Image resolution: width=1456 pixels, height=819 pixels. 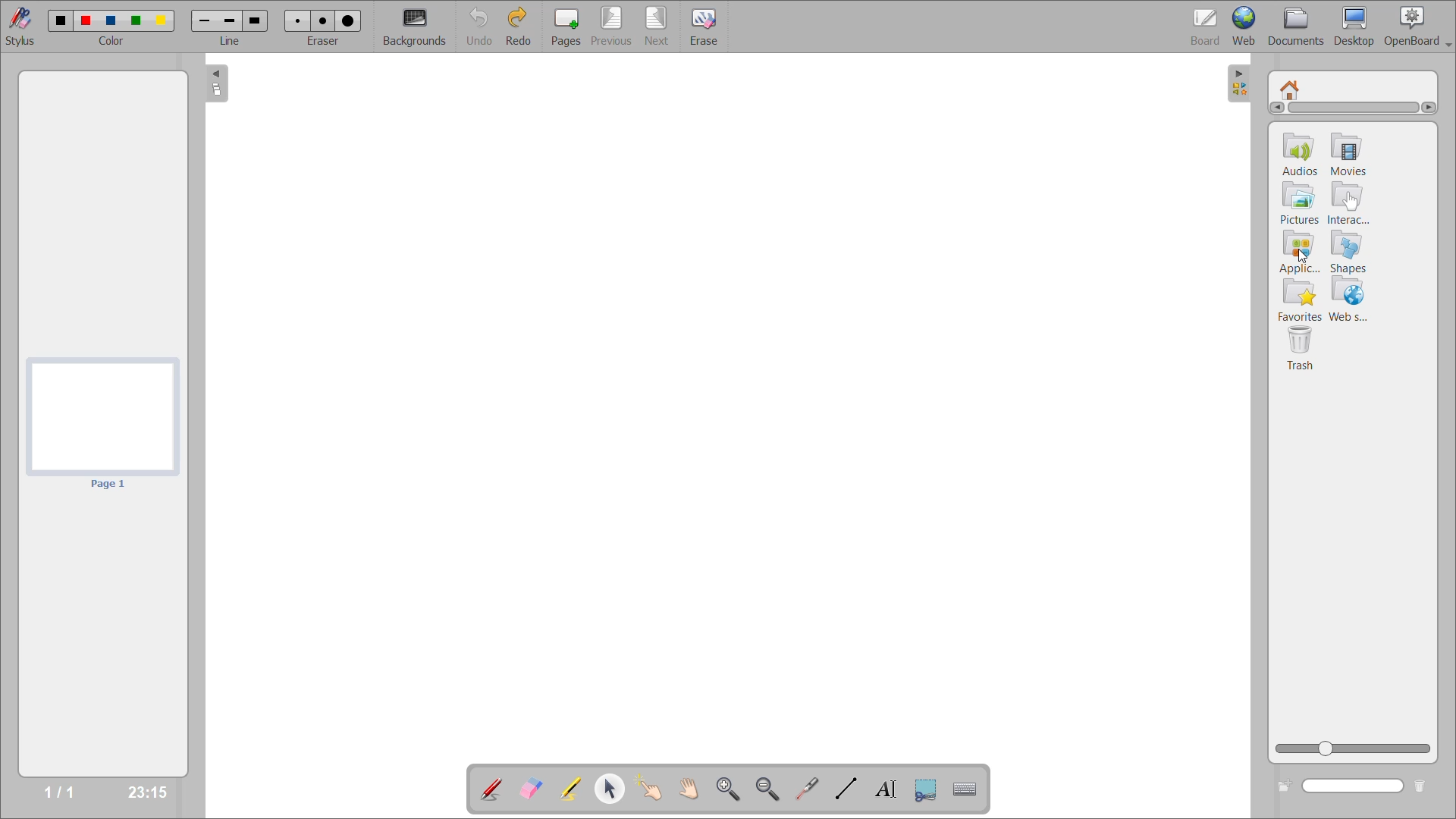 I want to click on select and modify objects, so click(x=613, y=789).